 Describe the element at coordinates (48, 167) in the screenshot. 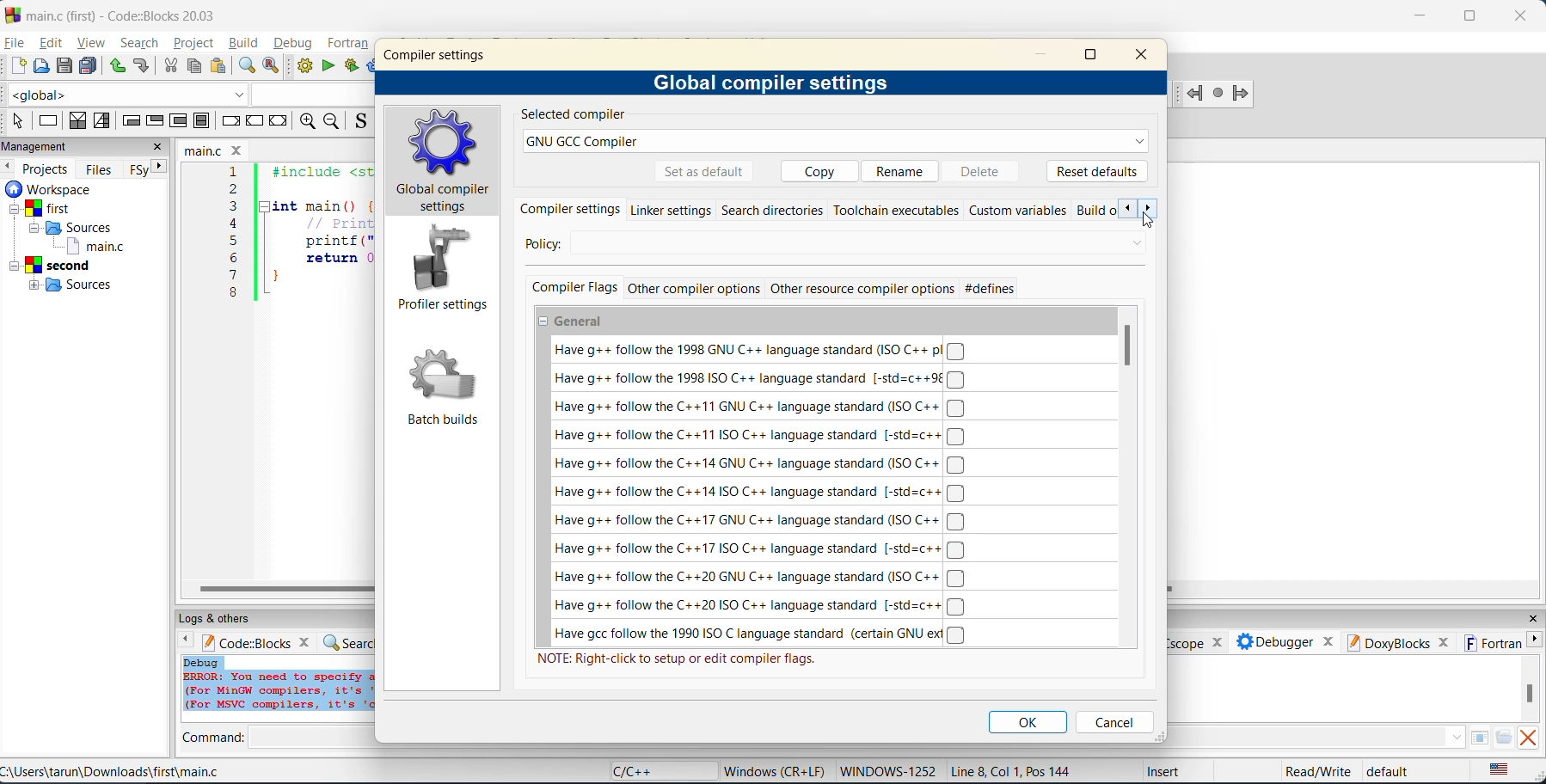

I see `projects` at that location.